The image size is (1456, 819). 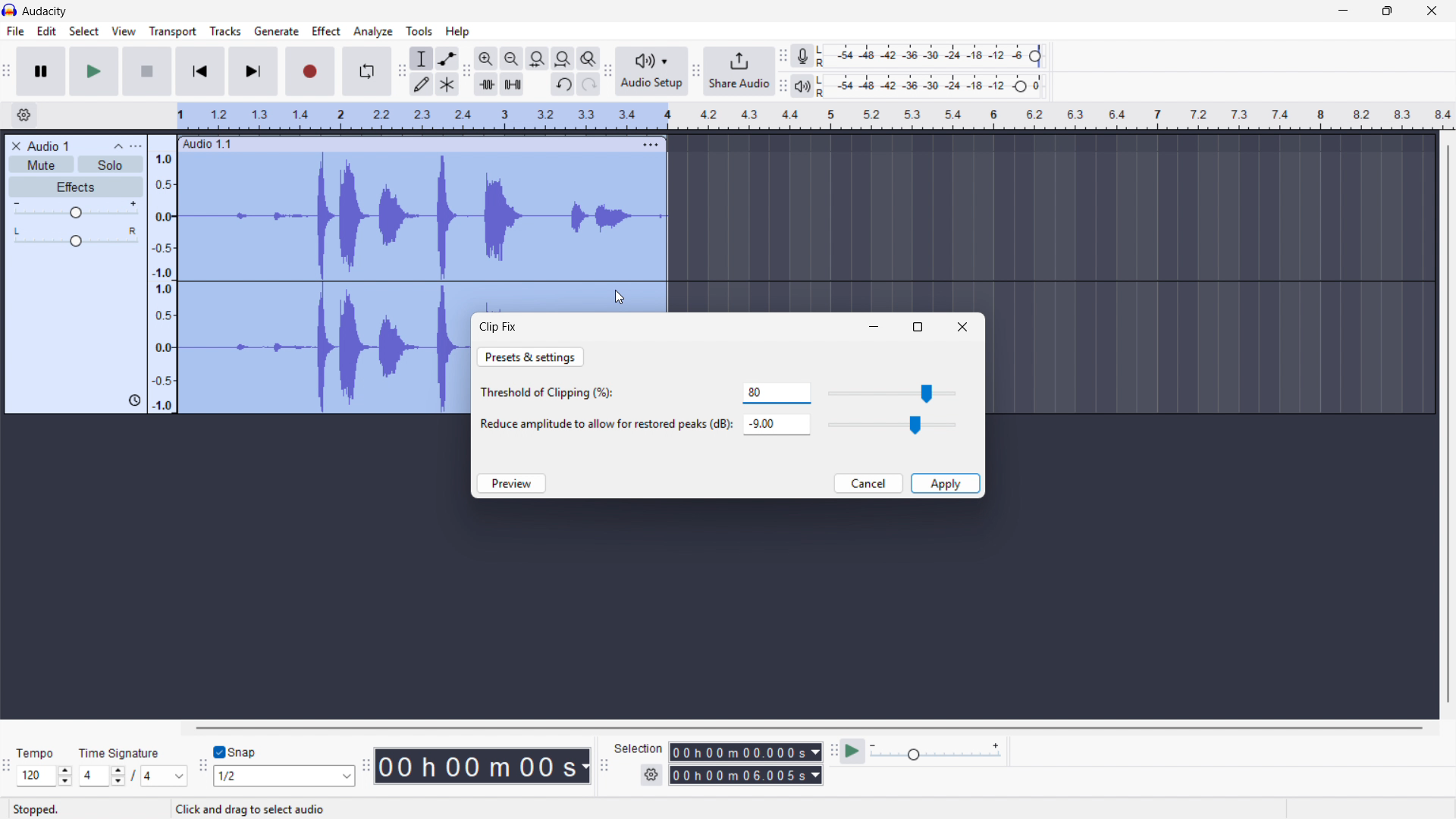 I want to click on minimise, so click(x=1341, y=11).